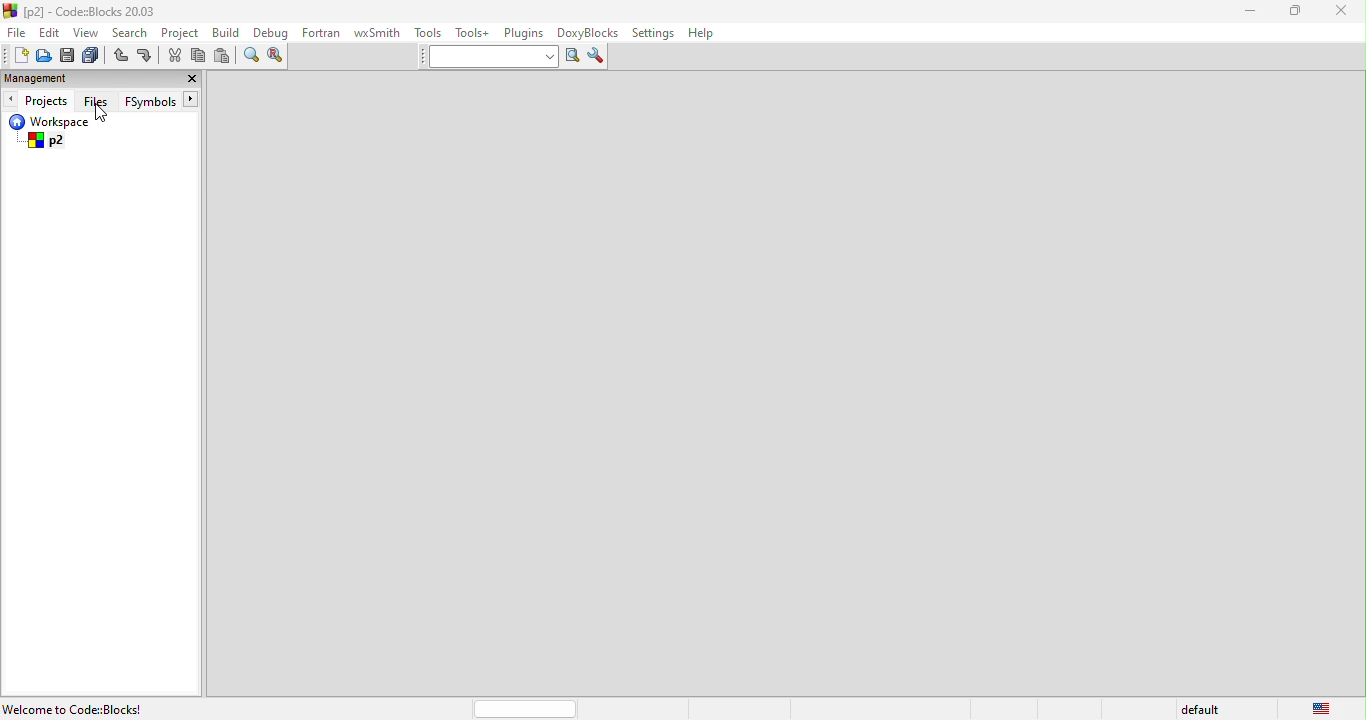 The image size is (1366, 720). What do you see at coordinates (88, 33) in the screenshot?
I see `view` at bounding box center [88, 33].